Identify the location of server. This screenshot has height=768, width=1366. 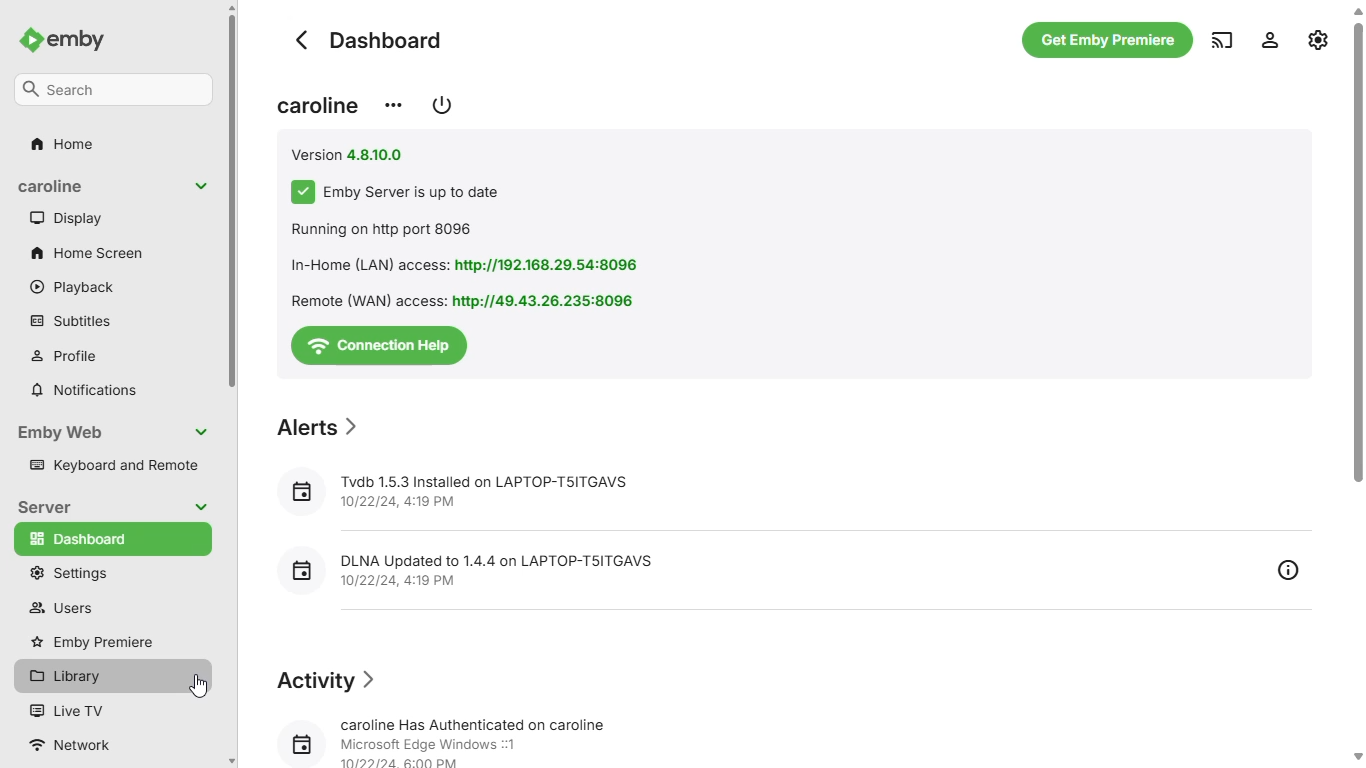
(43, 507).